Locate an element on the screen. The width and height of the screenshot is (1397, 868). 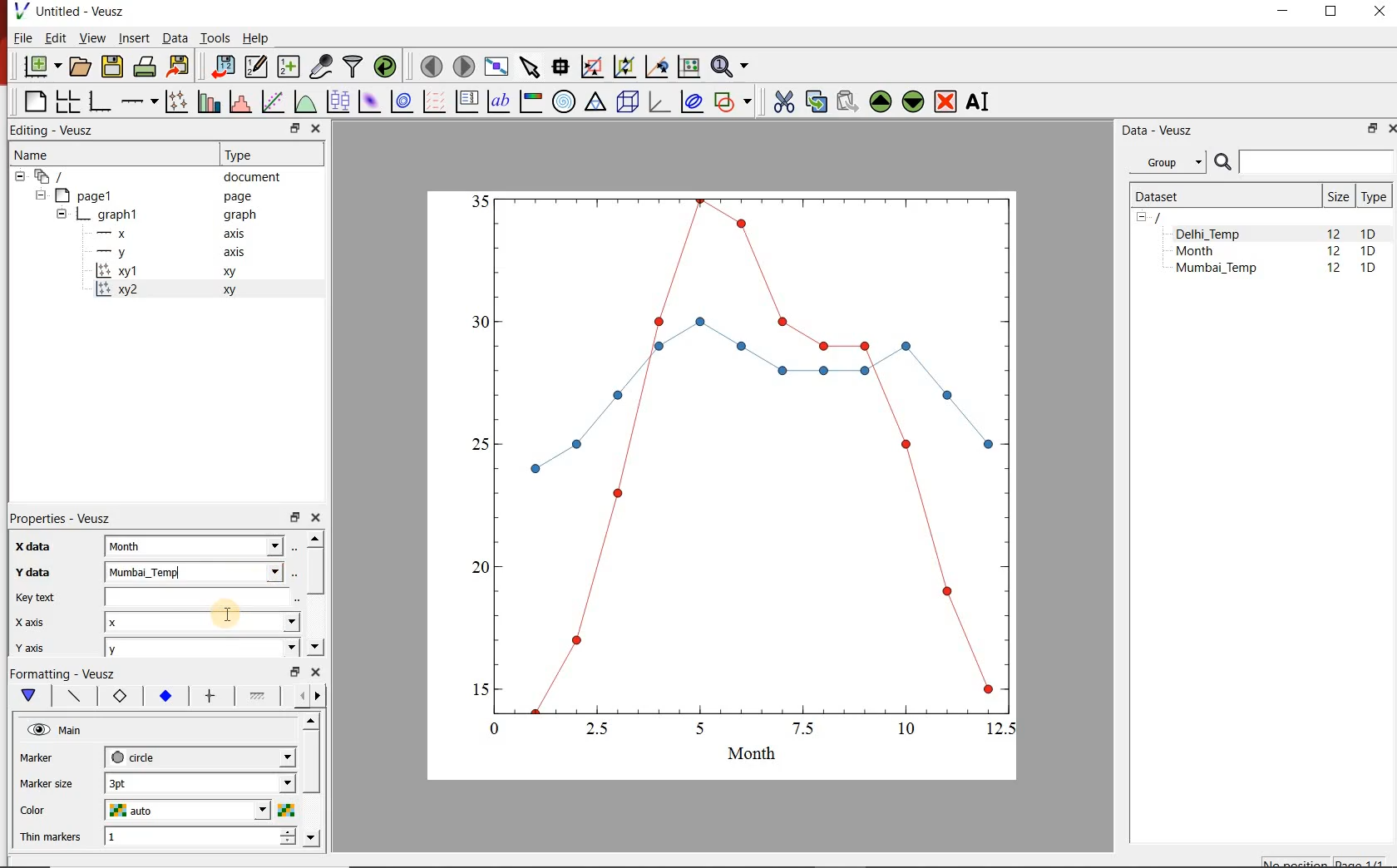
Data is located at coordinates (174, 37).